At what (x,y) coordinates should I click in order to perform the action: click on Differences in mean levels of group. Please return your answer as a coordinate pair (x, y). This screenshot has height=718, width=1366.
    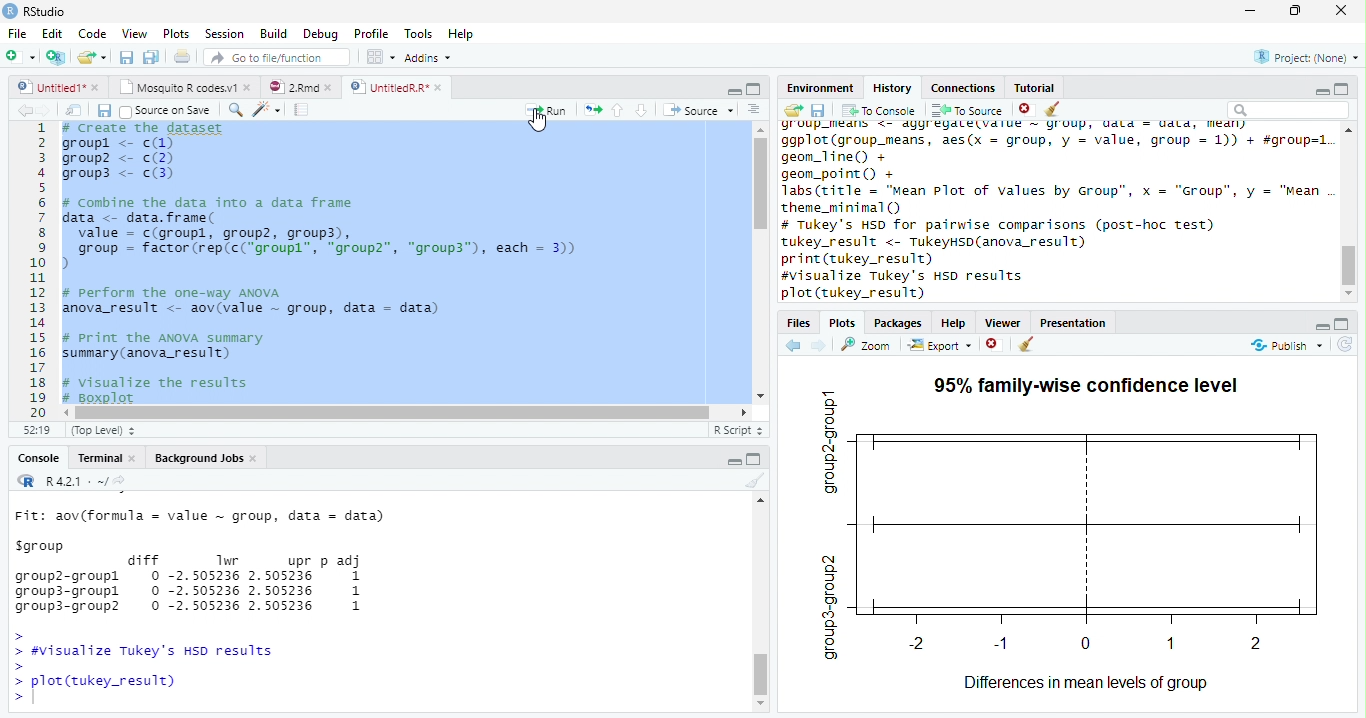
    Looking at the image, I should click on (1085, 684).